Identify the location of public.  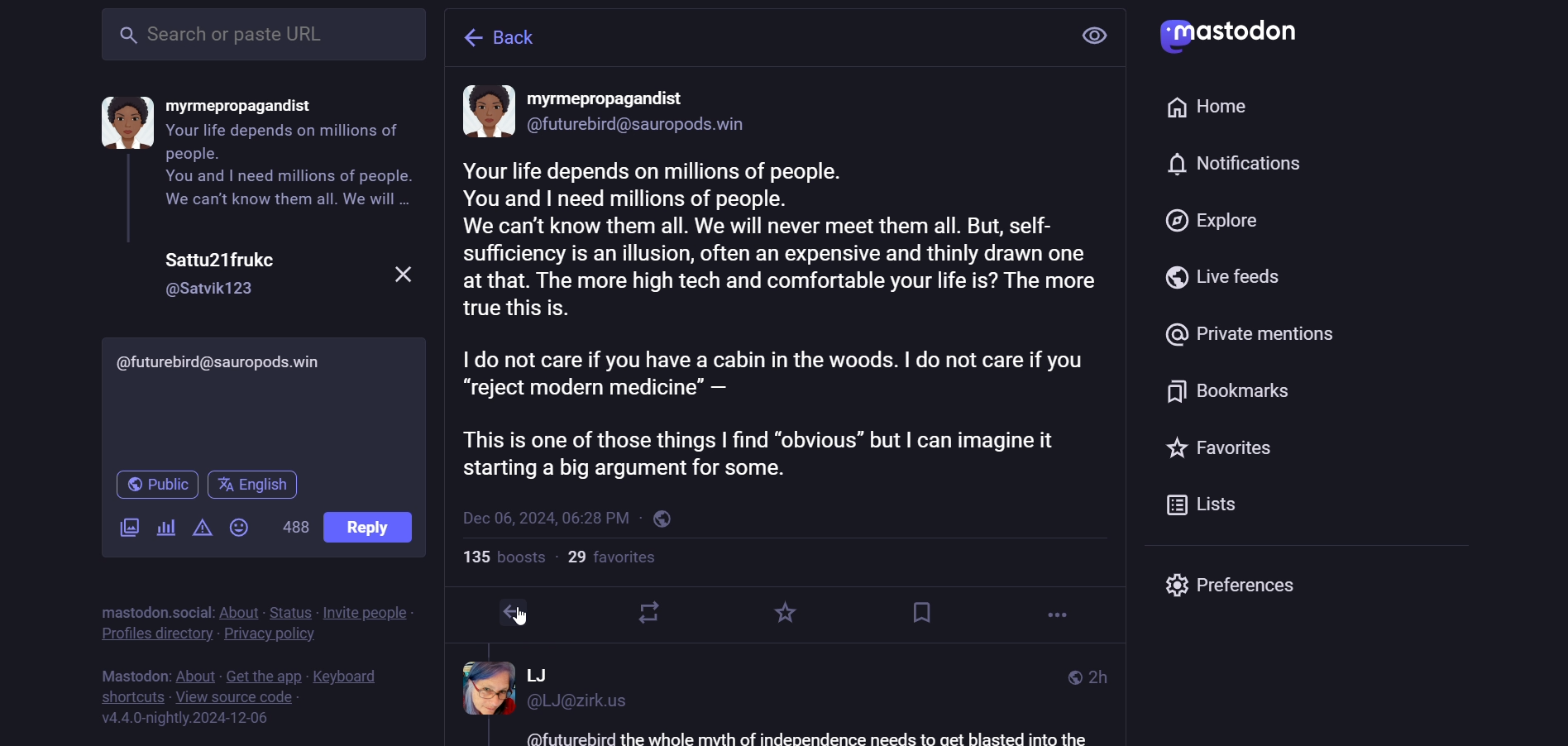
(666, 521).